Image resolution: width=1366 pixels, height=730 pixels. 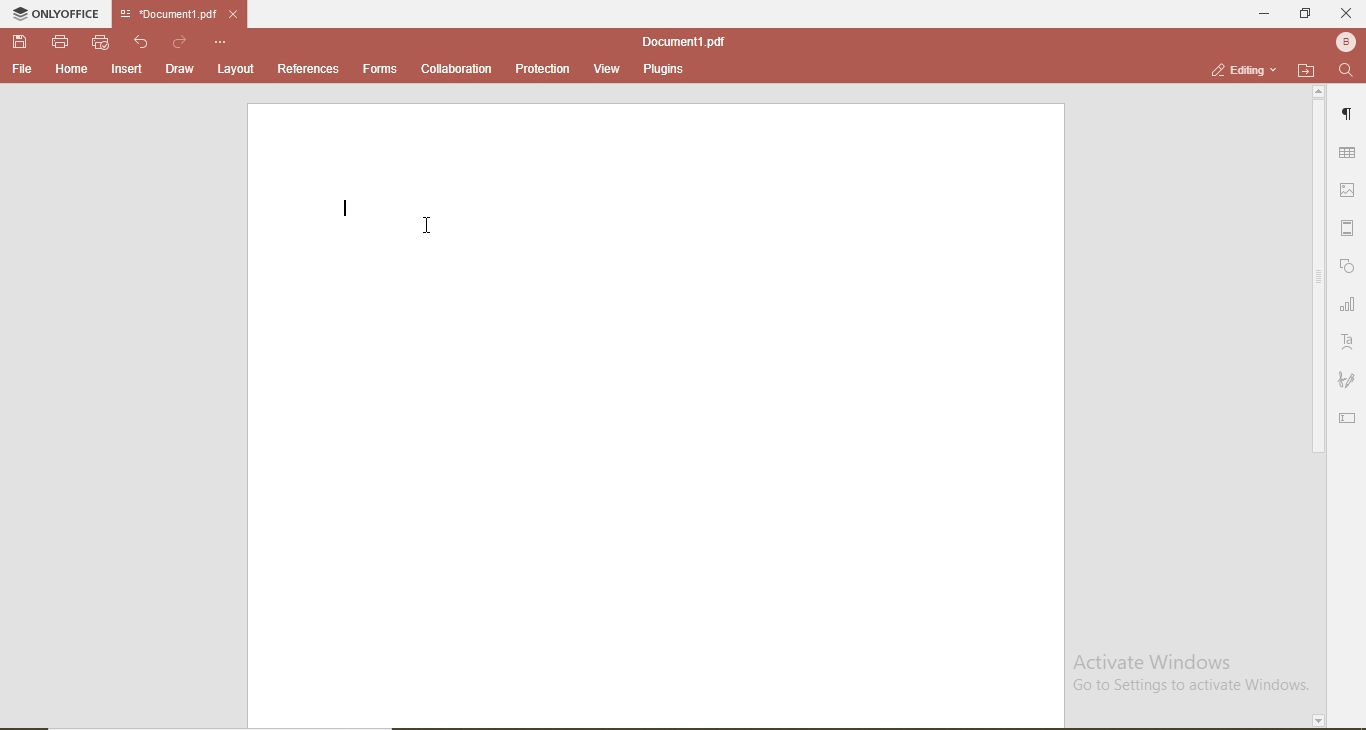 What do you see at coordinates (1351, 269) in the screenshot?
I see `shape` at bounding box center [1351, 269].